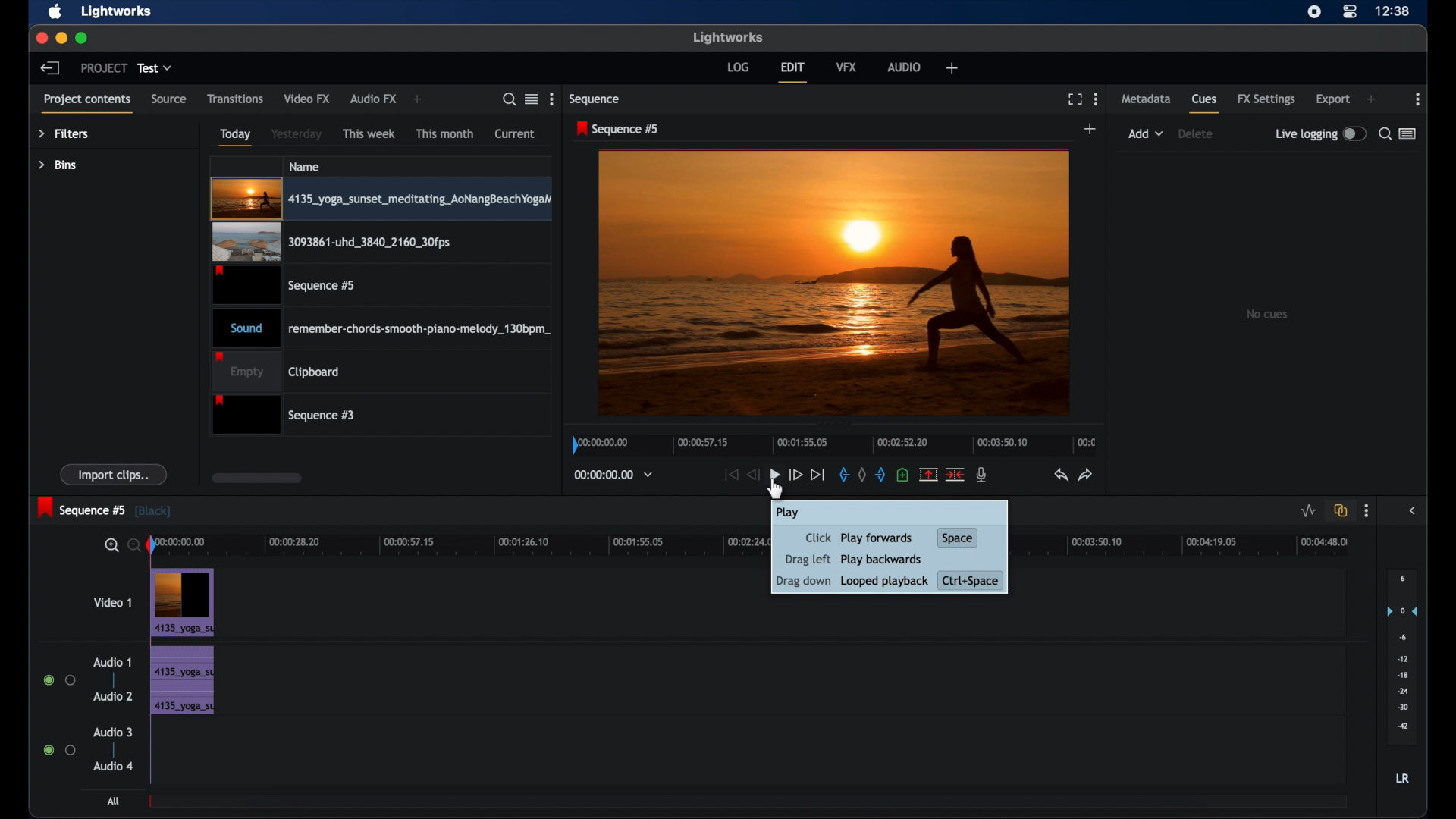  What do you see at coordinates (532, 99) in the screenshot?
I see `toggle between listened tile view` at bounding box center [532, 99].